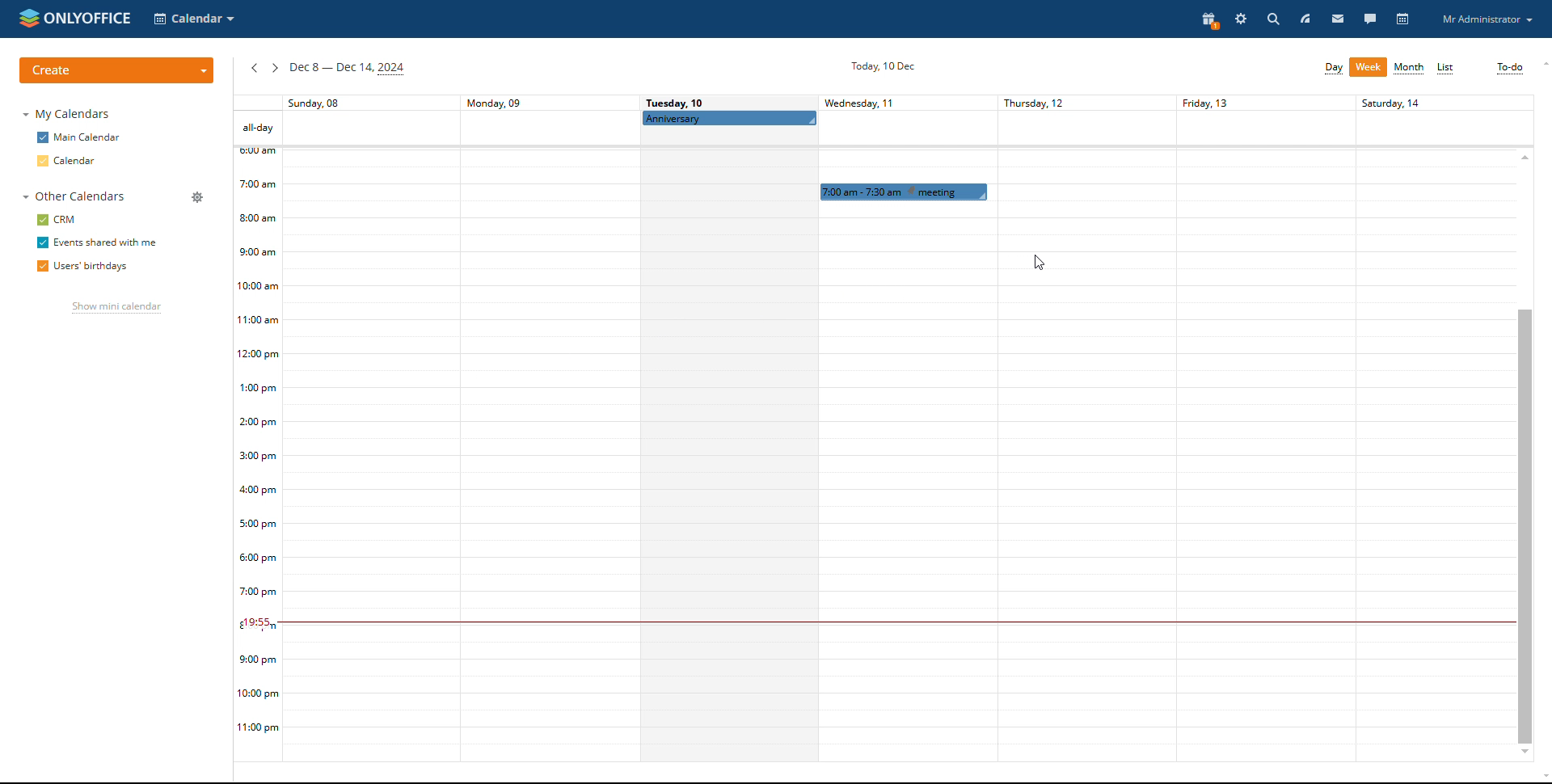 The image size is (1552, 784). Describe the element at coordinates (1258, 424) in the screenshot. I see `friday` at that location.